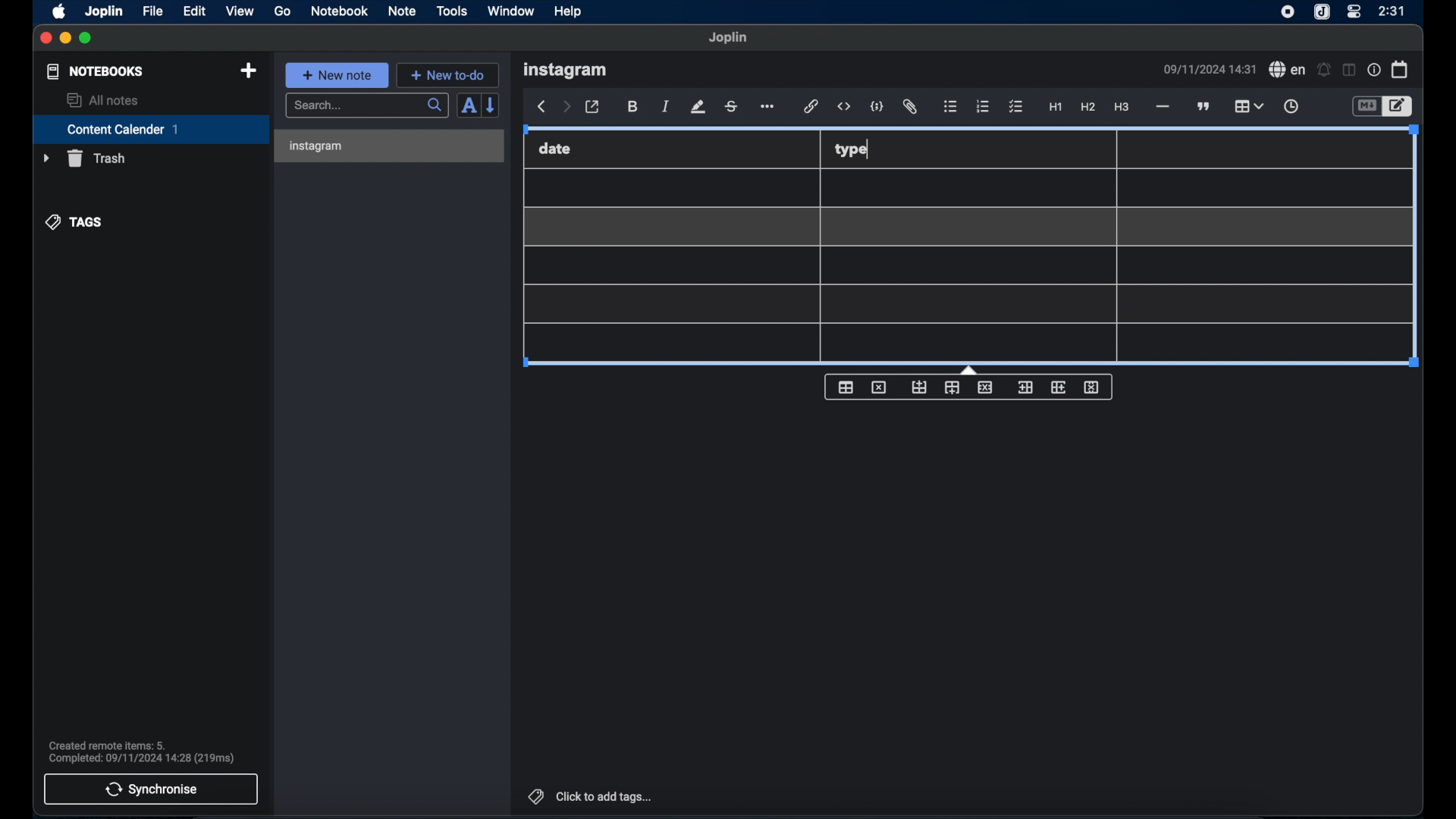 Image resolution: width=1456 pixels, height=819 pixels. Describe the element at coordinates (1349, 71) in the screenshot. I see `toggle editor layout` at that location.